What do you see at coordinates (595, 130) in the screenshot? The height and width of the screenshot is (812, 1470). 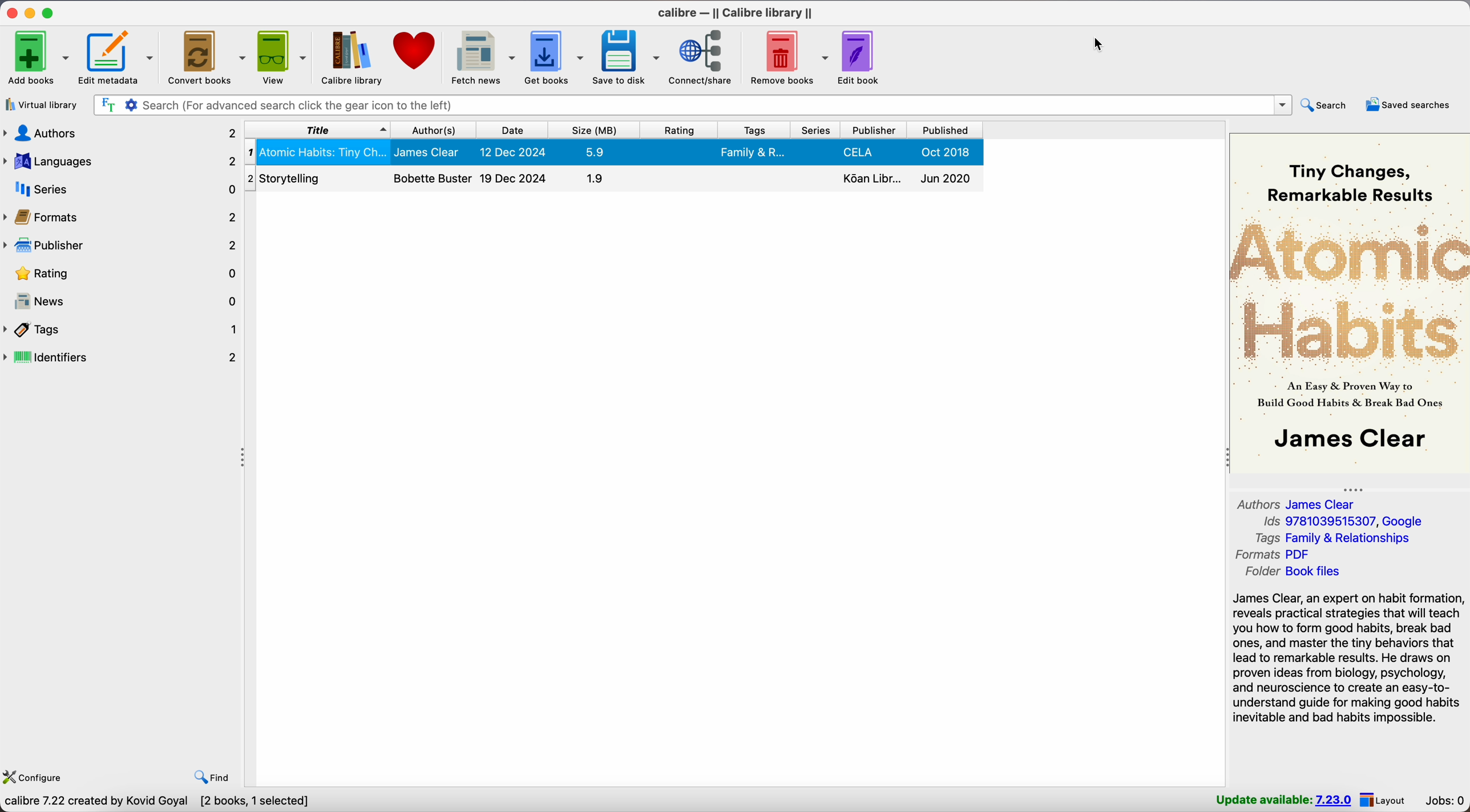 I see `size` at bounding box center [595, 130].